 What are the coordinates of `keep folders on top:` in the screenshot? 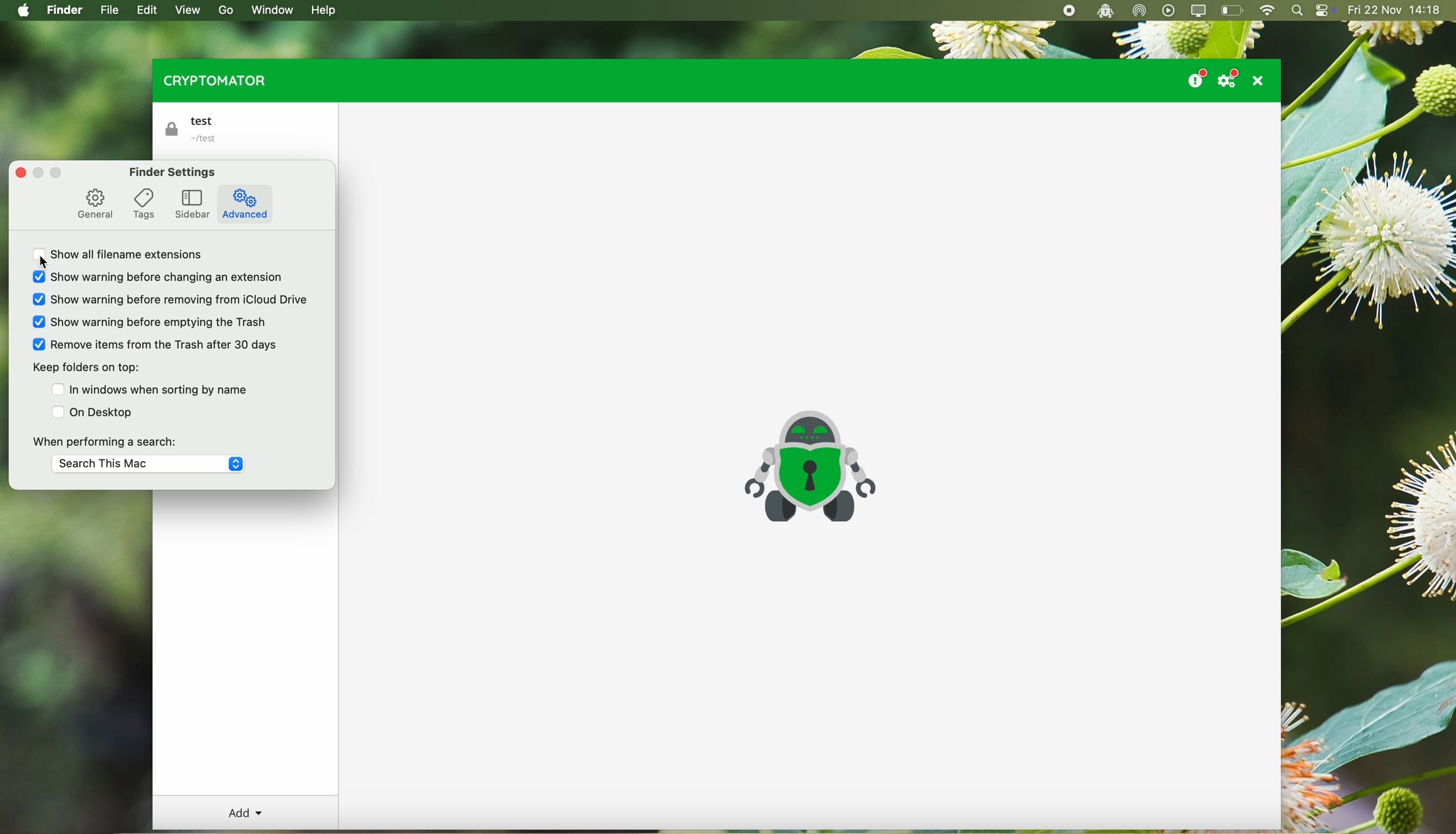 It's located at (85, 369).